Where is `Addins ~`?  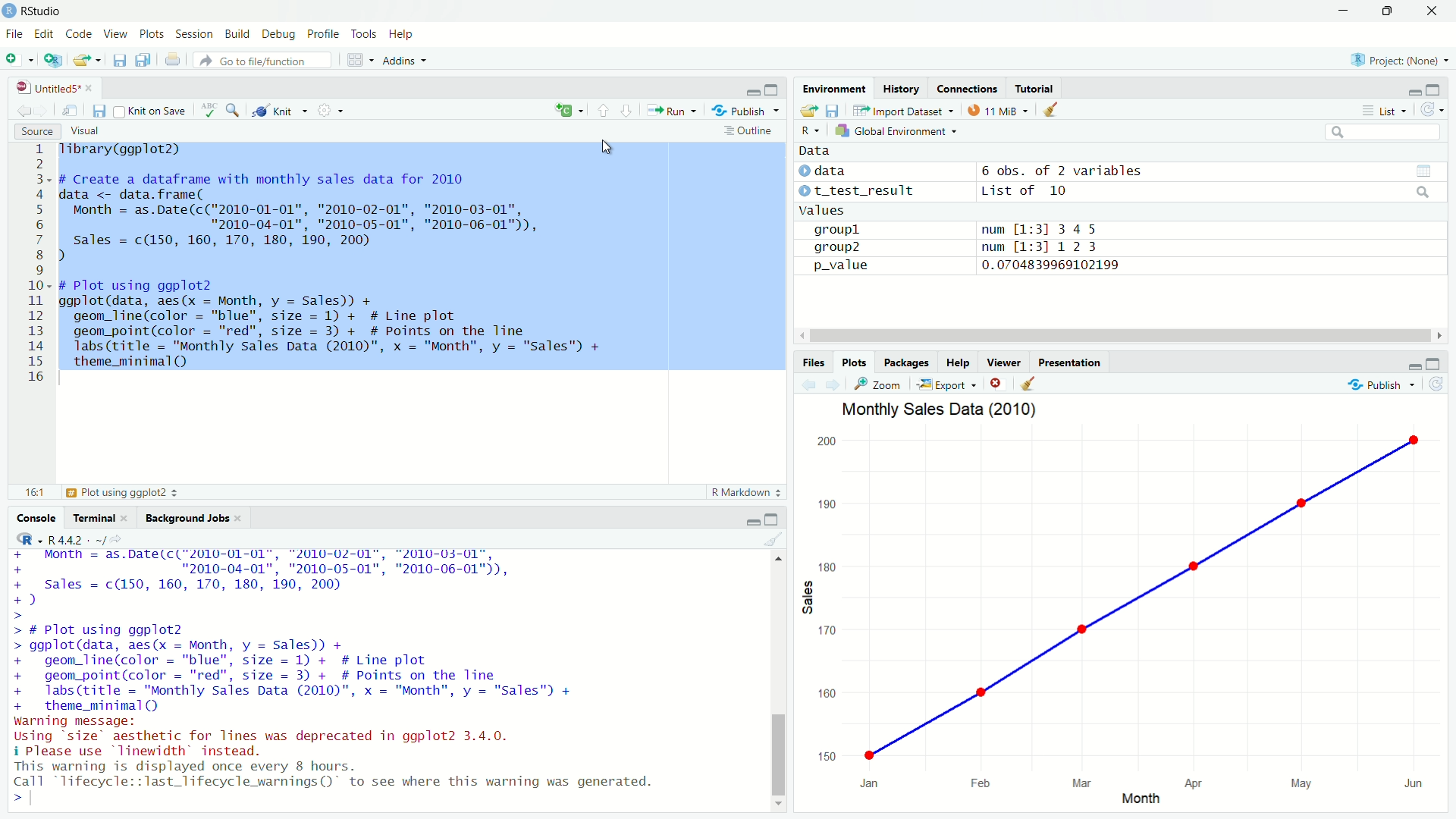
Addins ~ is located at coordinates (406, 60).